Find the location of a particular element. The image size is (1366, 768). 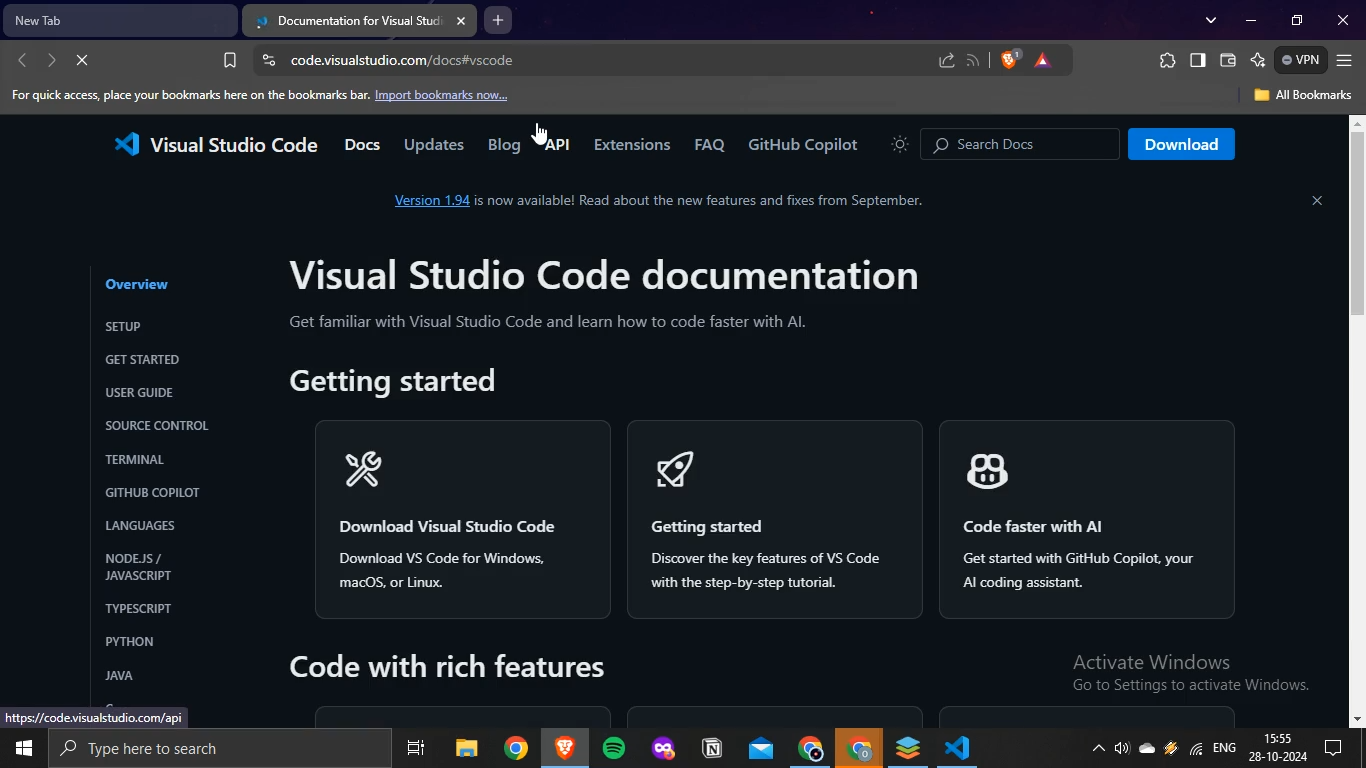

volume is located at coordinates (1121, 751).